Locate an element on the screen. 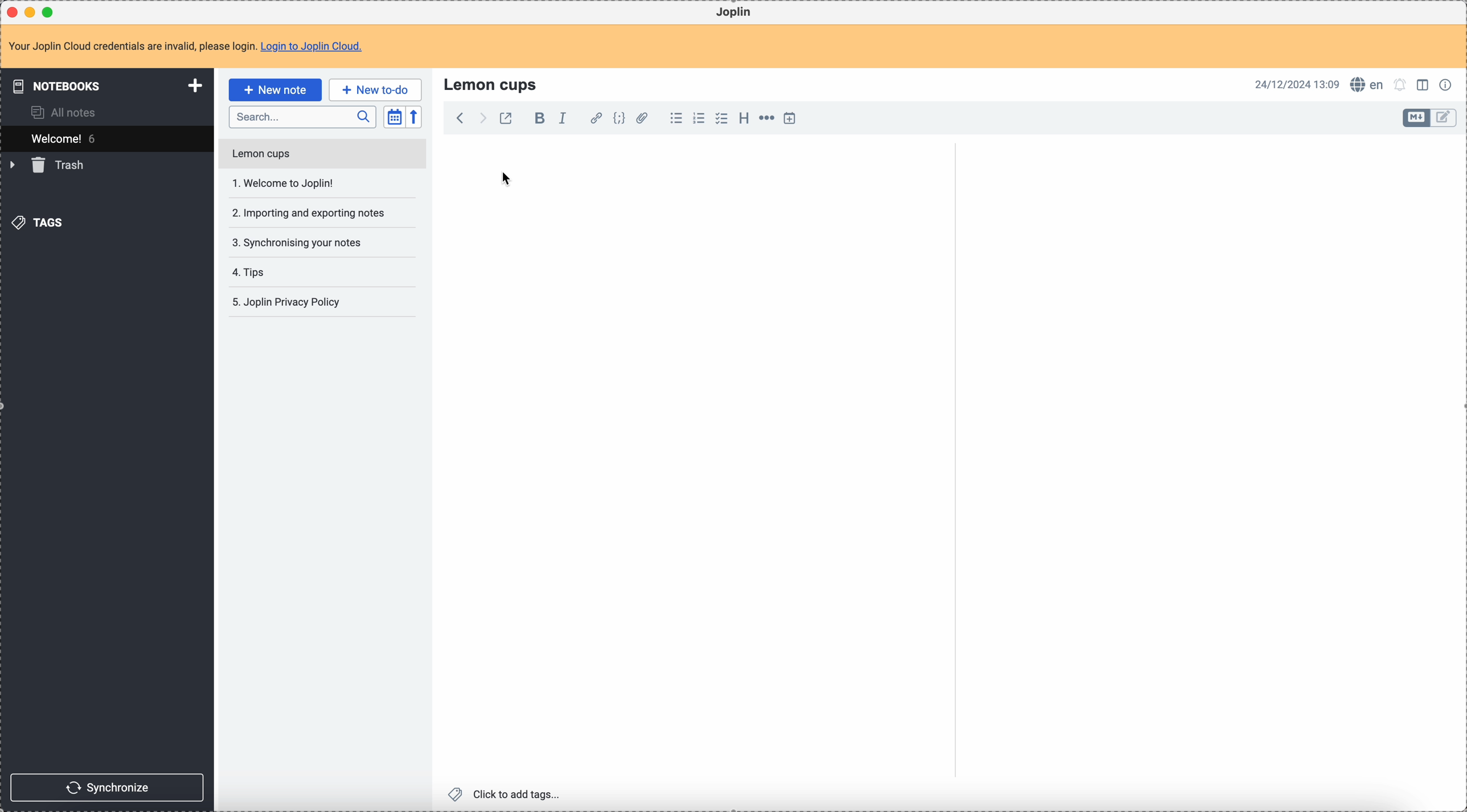 The height and width of the screenshot is (812, 1467). lemon cups is located at coordinates (321, 156).